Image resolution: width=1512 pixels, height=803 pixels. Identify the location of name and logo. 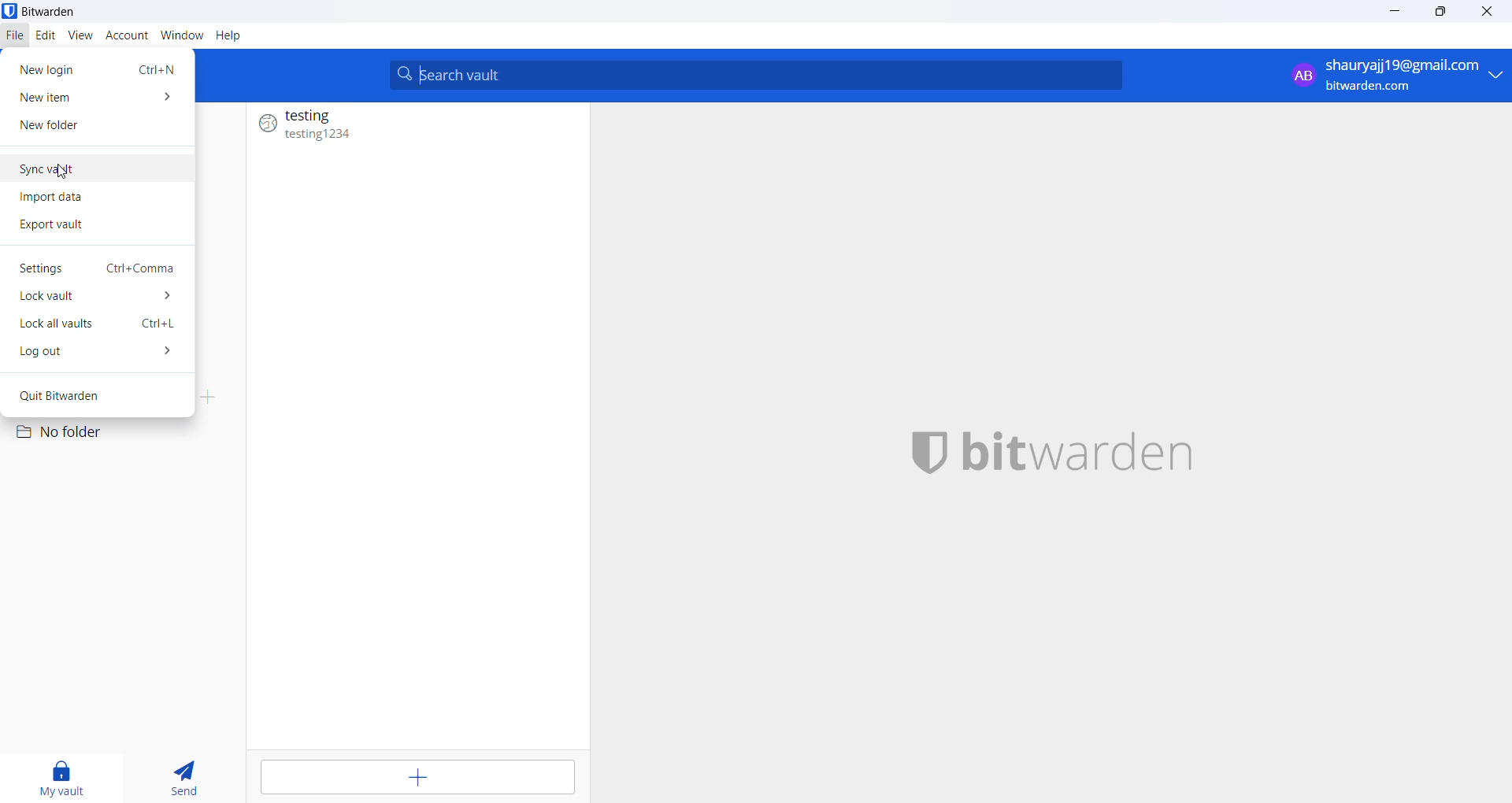
(1056, 460).